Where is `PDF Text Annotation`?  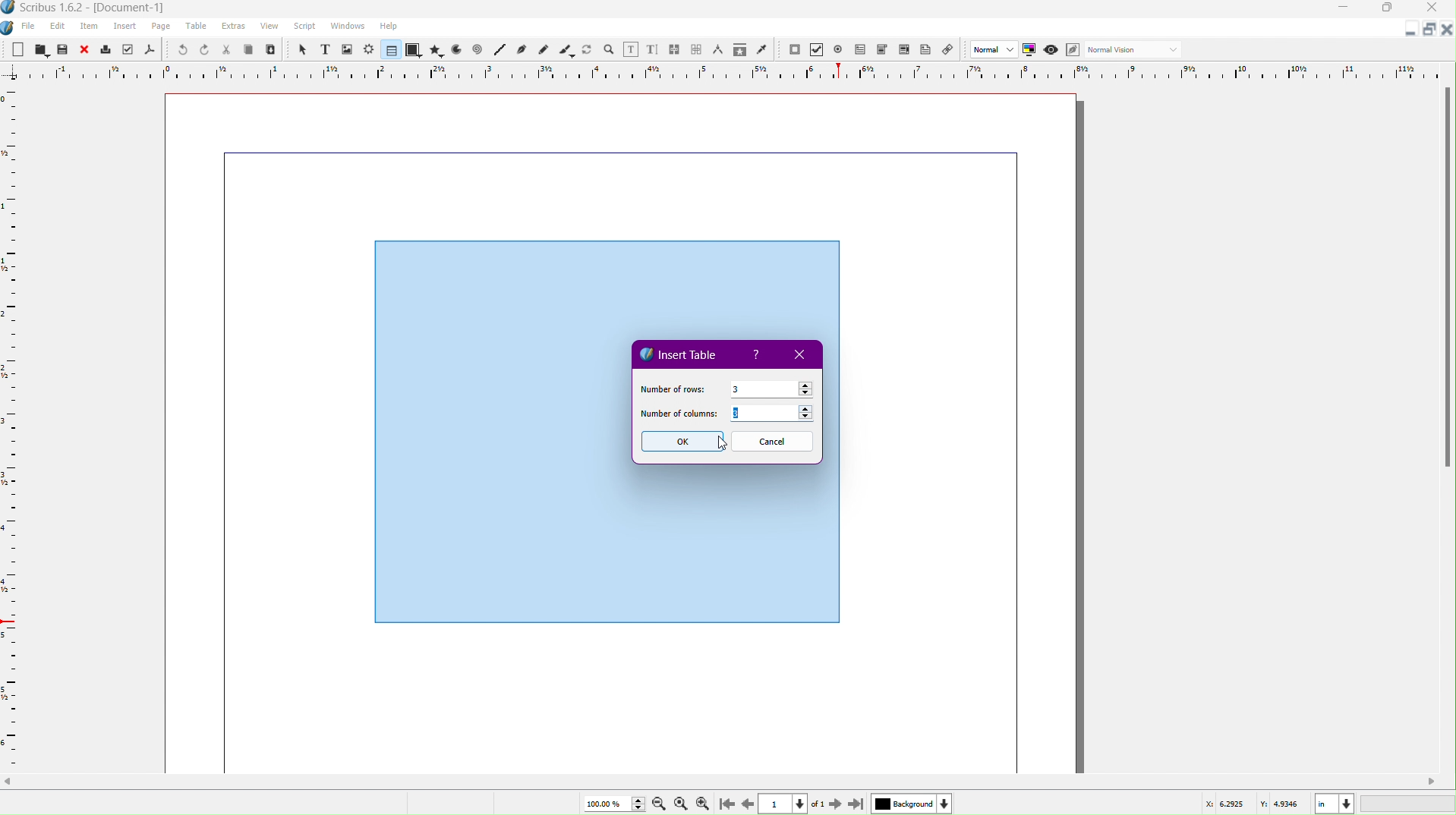 PDF Text Annotation is located at coordinates (928, 52).